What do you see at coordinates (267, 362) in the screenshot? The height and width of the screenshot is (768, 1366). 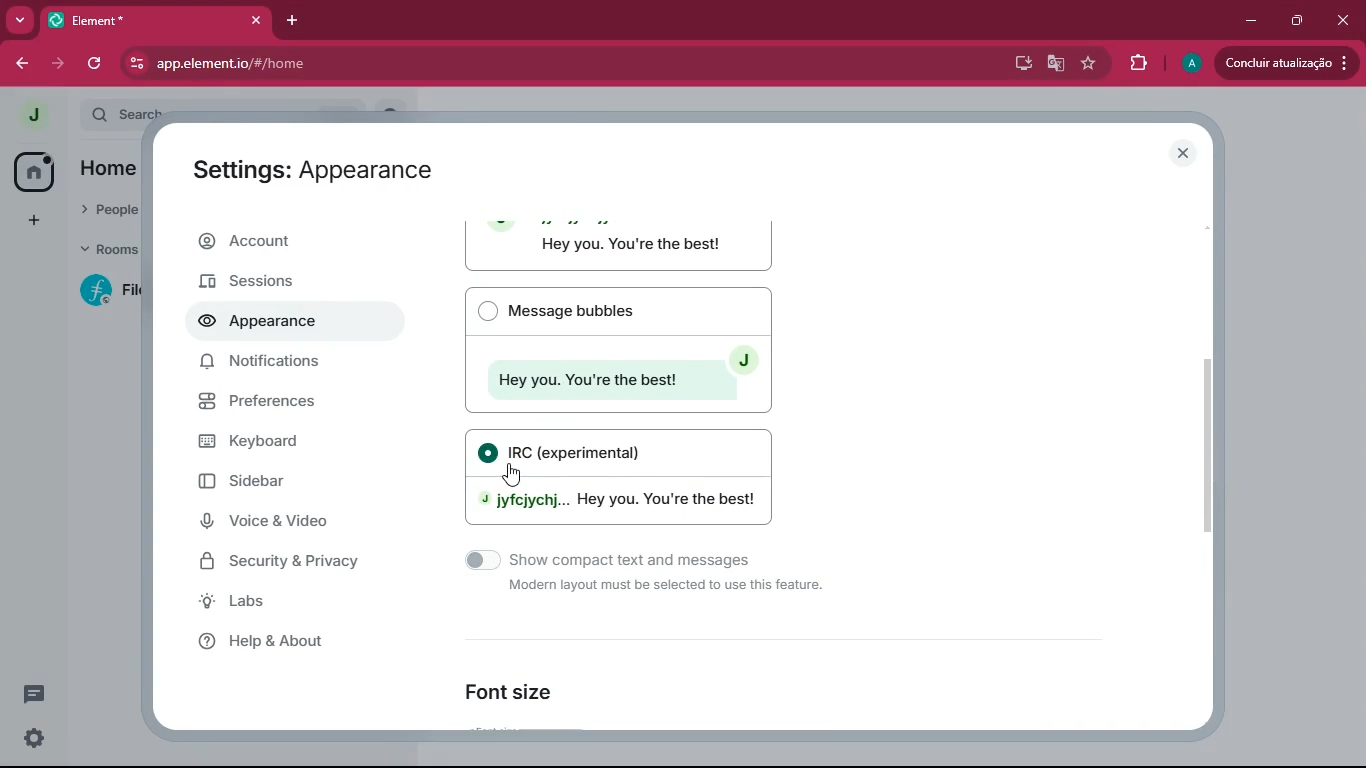 I see `notifications` at bounding box center [267, 362].